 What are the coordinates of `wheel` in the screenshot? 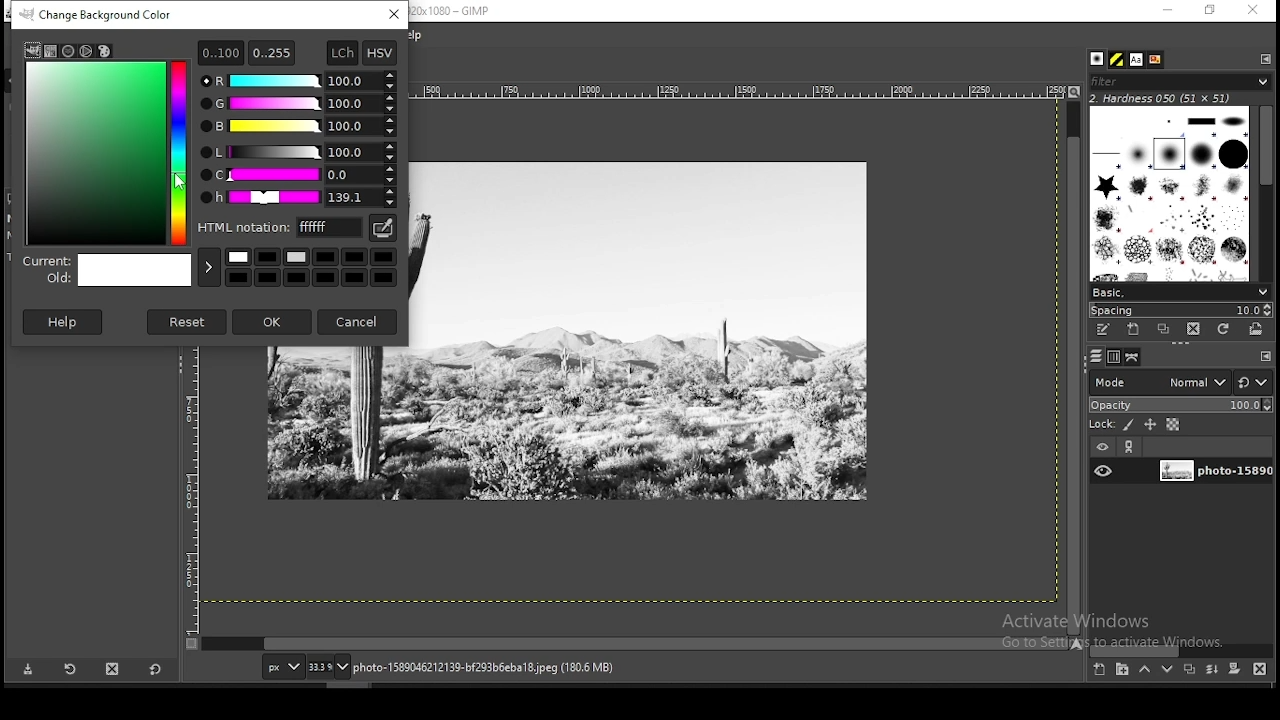 It's located at (87, 51).